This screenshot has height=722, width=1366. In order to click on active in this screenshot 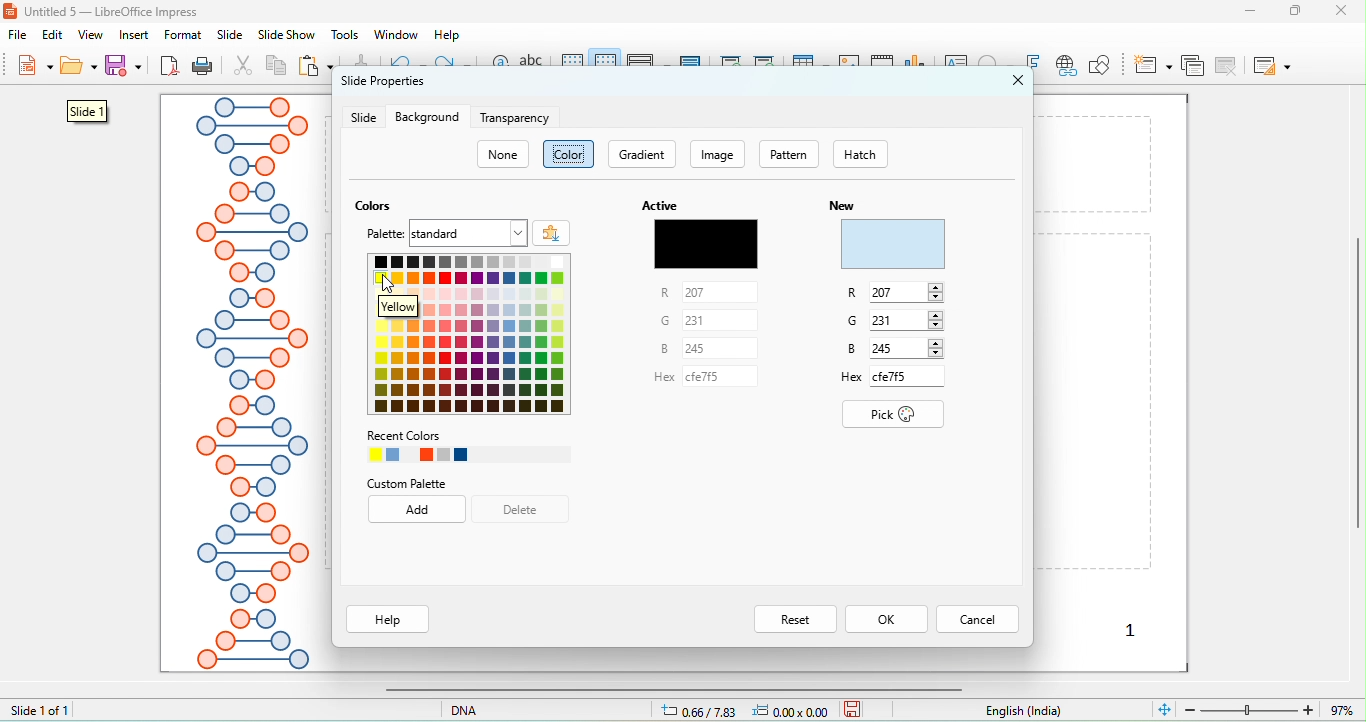, I will do `click(658, 205)`.